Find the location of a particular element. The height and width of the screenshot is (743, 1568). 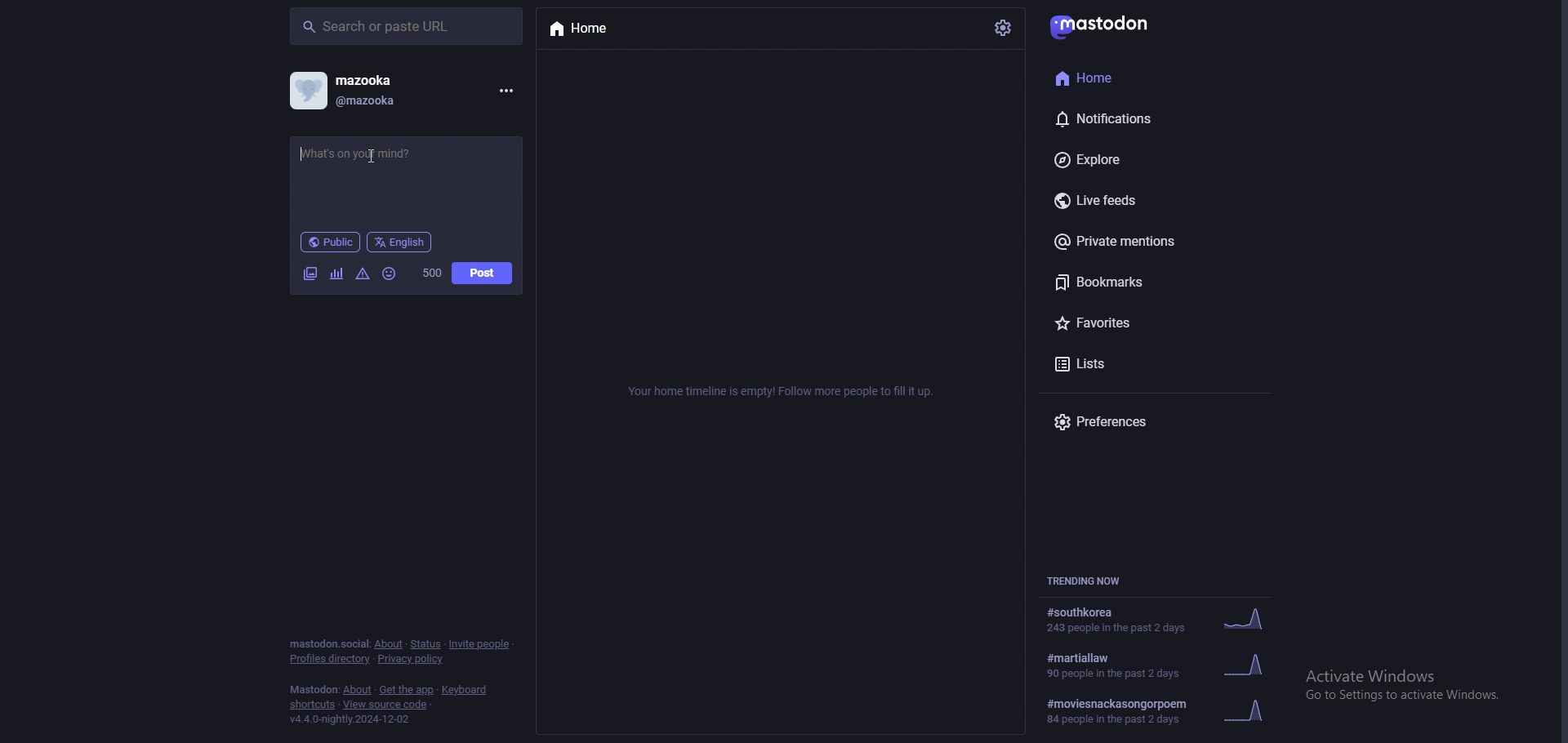

get the app is located at coordinates (407, 689).